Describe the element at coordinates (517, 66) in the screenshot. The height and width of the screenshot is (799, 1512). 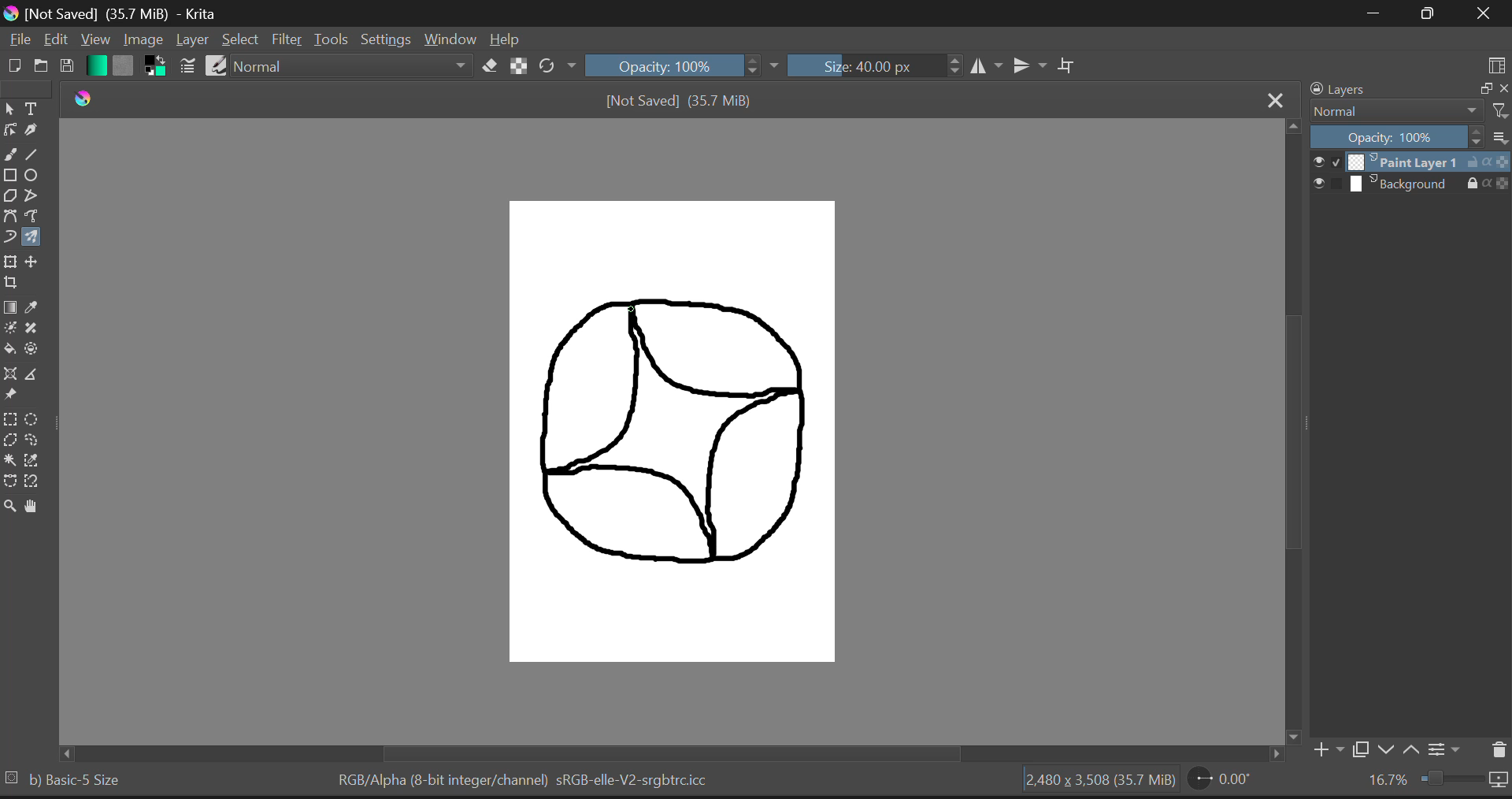
I see `Lock Al` at that location.